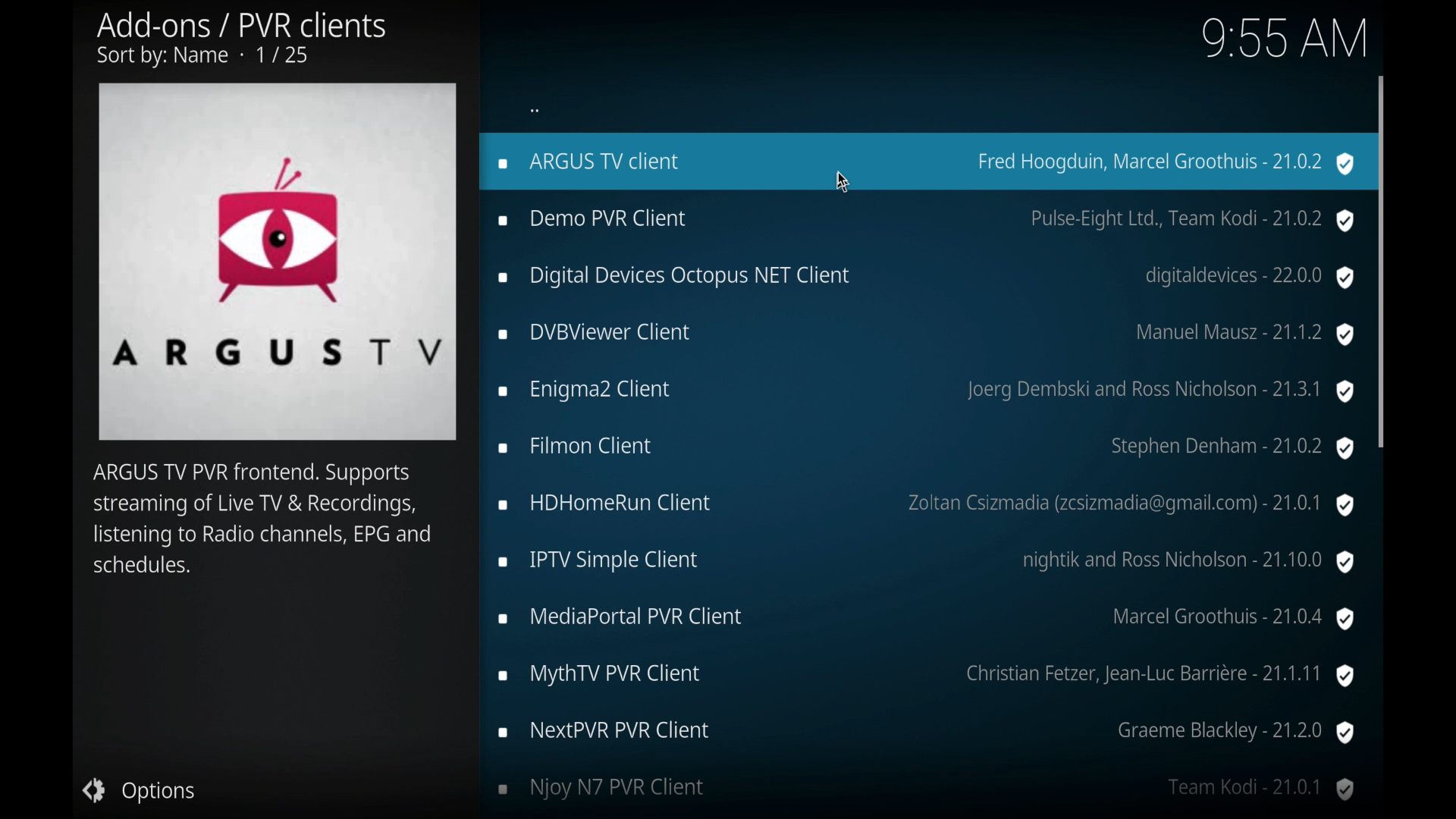 The height and width of the screenshot is (819, 1456). I want to click on dot icon, so click(535, 109).